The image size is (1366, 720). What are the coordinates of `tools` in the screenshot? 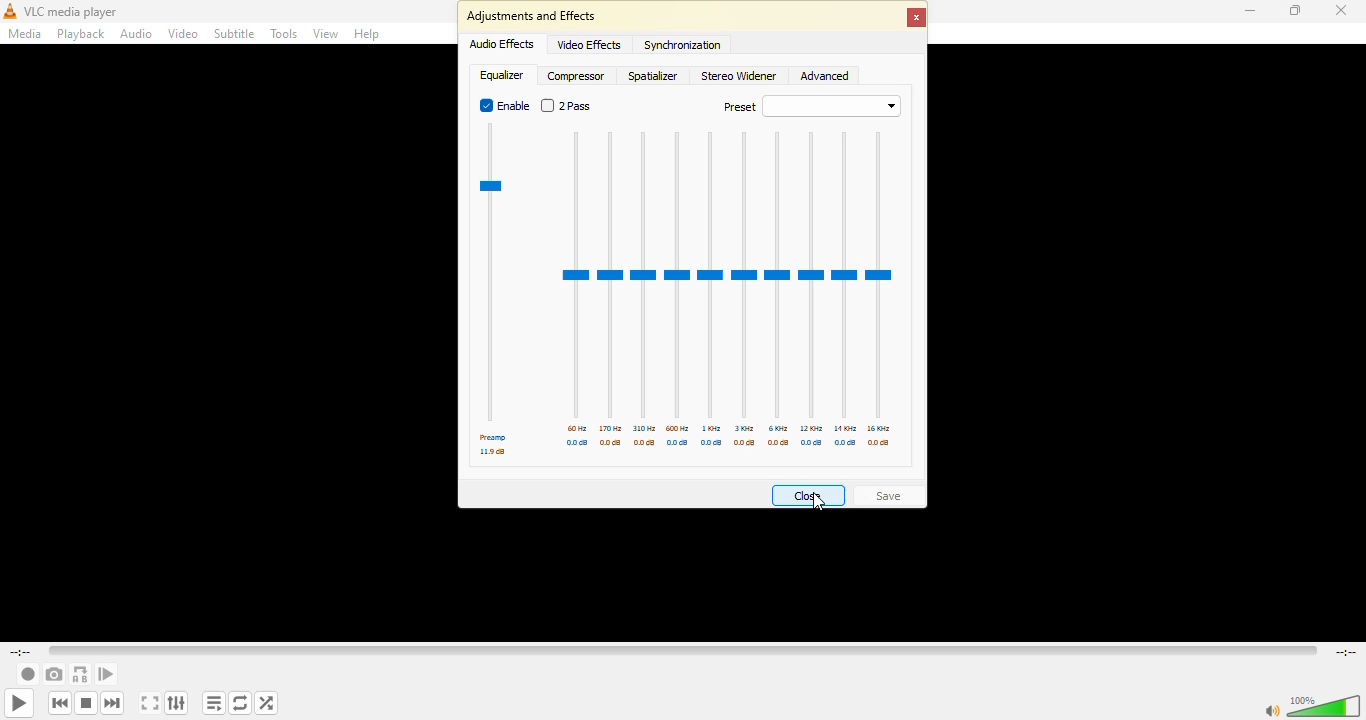 It's located at (284, 34).